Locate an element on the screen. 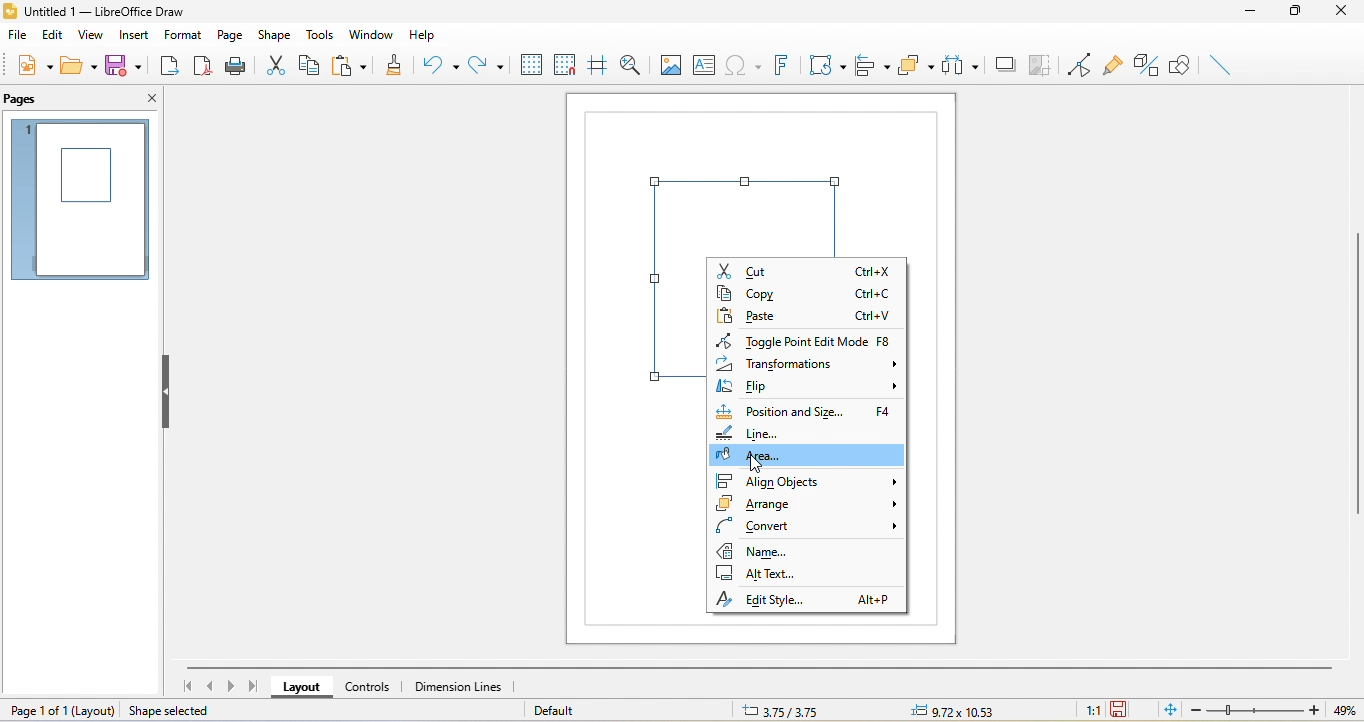 The image size is (1364, 722). new is located at coordinates (31, 65).